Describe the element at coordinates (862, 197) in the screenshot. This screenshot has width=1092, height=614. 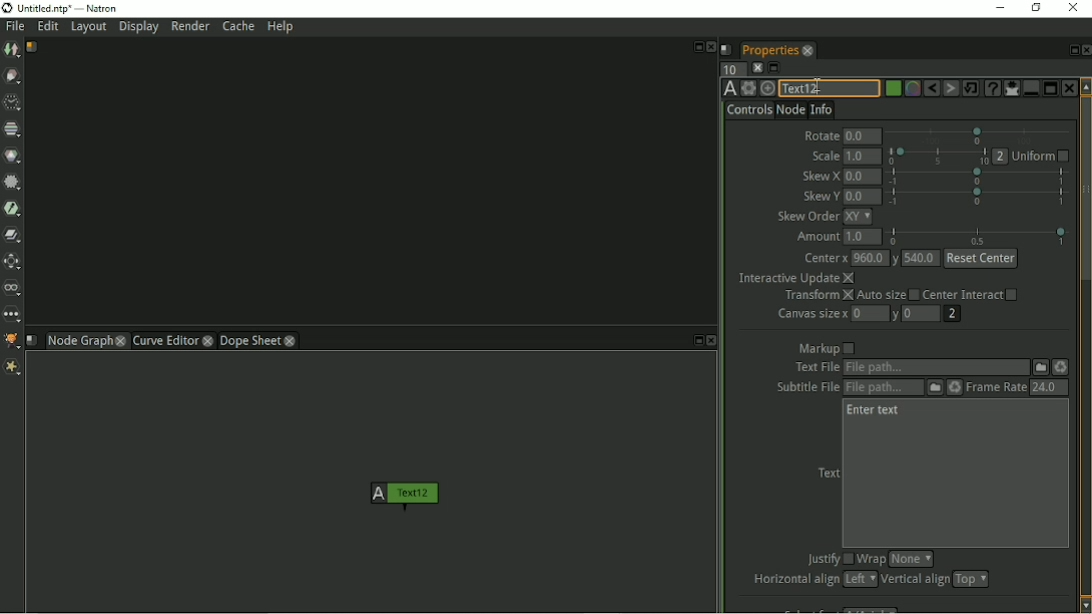
I see `0.0` at that location.